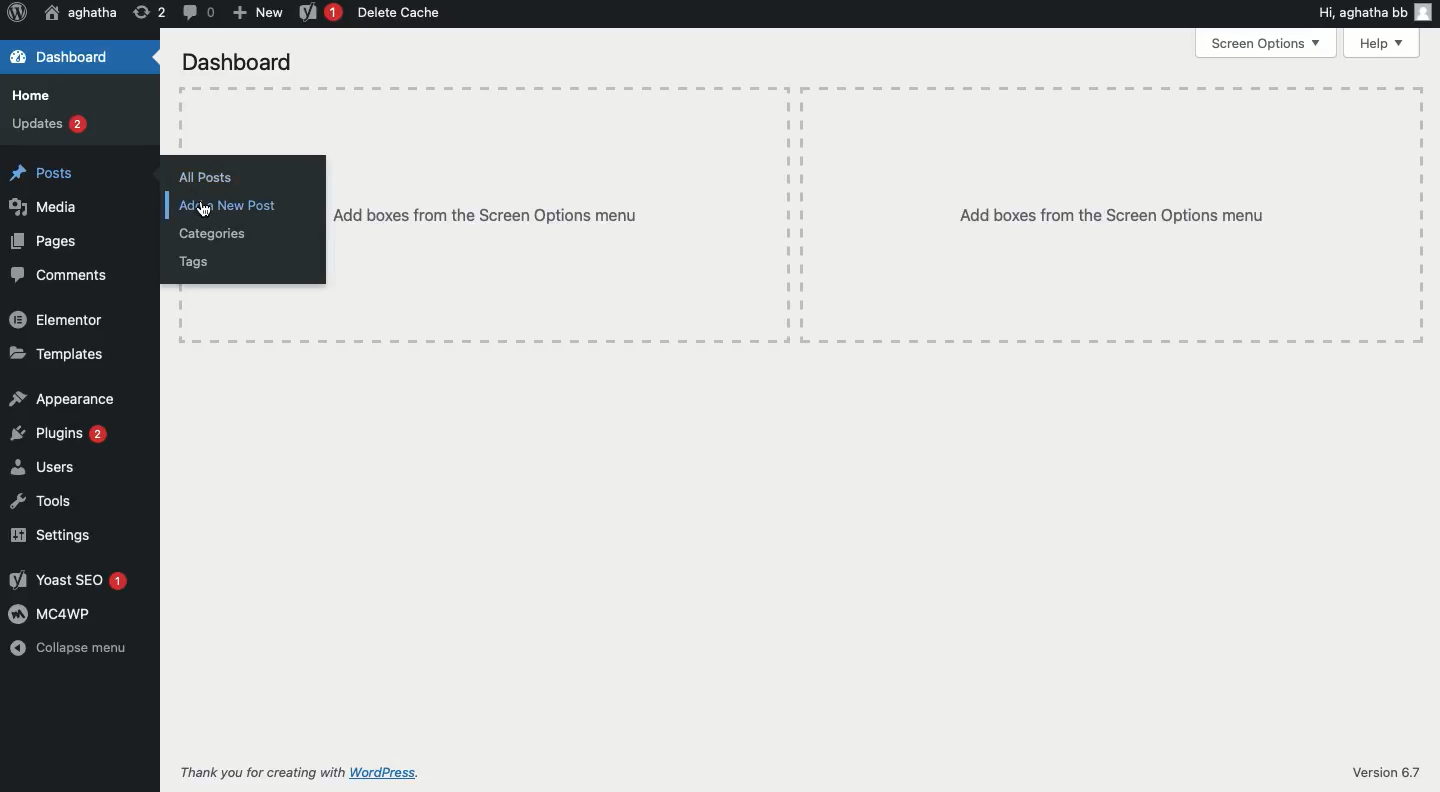 This screenshot has width=1440, height=792. Describe the element at coordinates (18, 58) in the screenshot. I see `Dashboard symbol` at that location.